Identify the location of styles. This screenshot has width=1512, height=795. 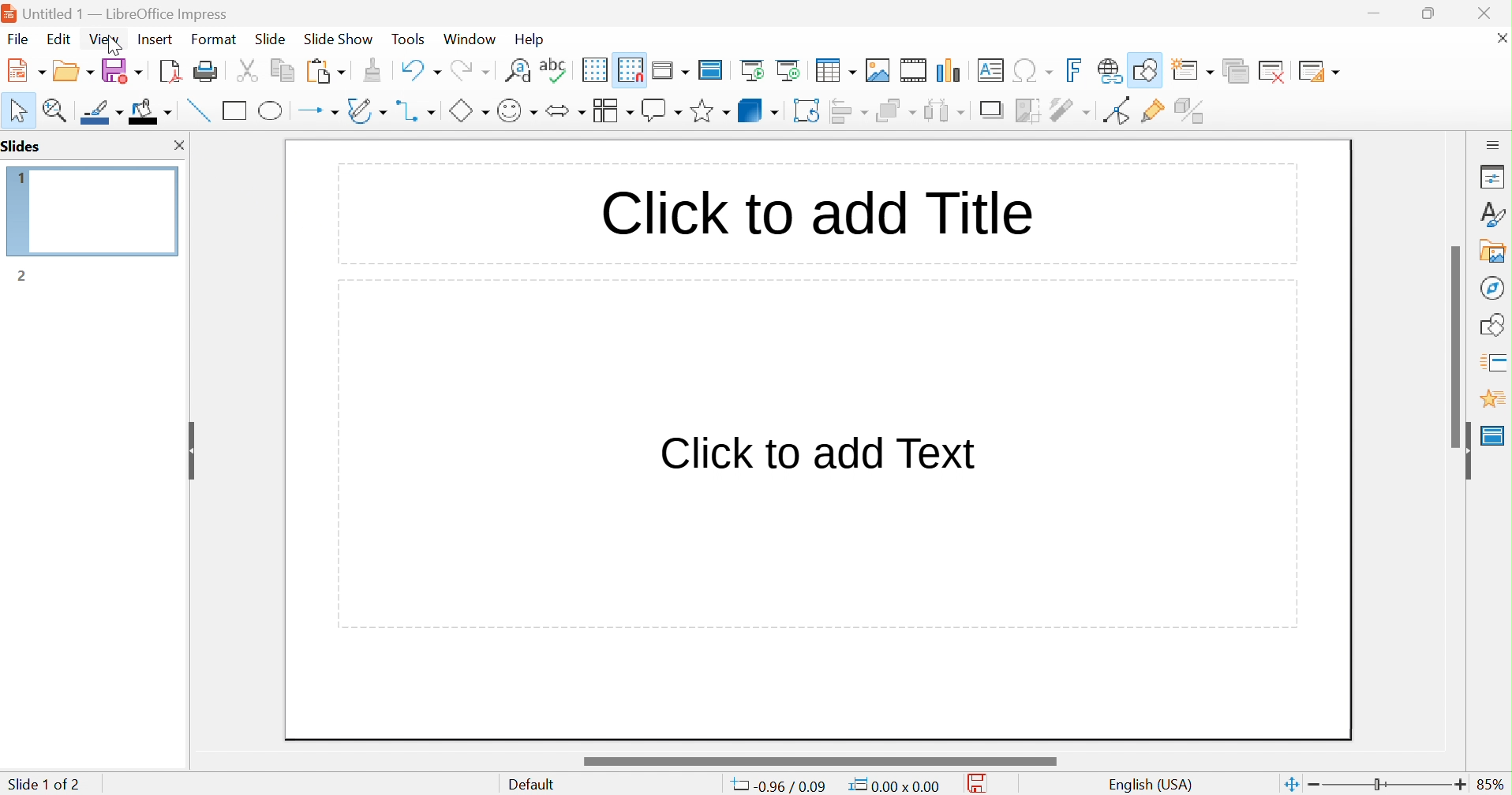
(1494, 214).